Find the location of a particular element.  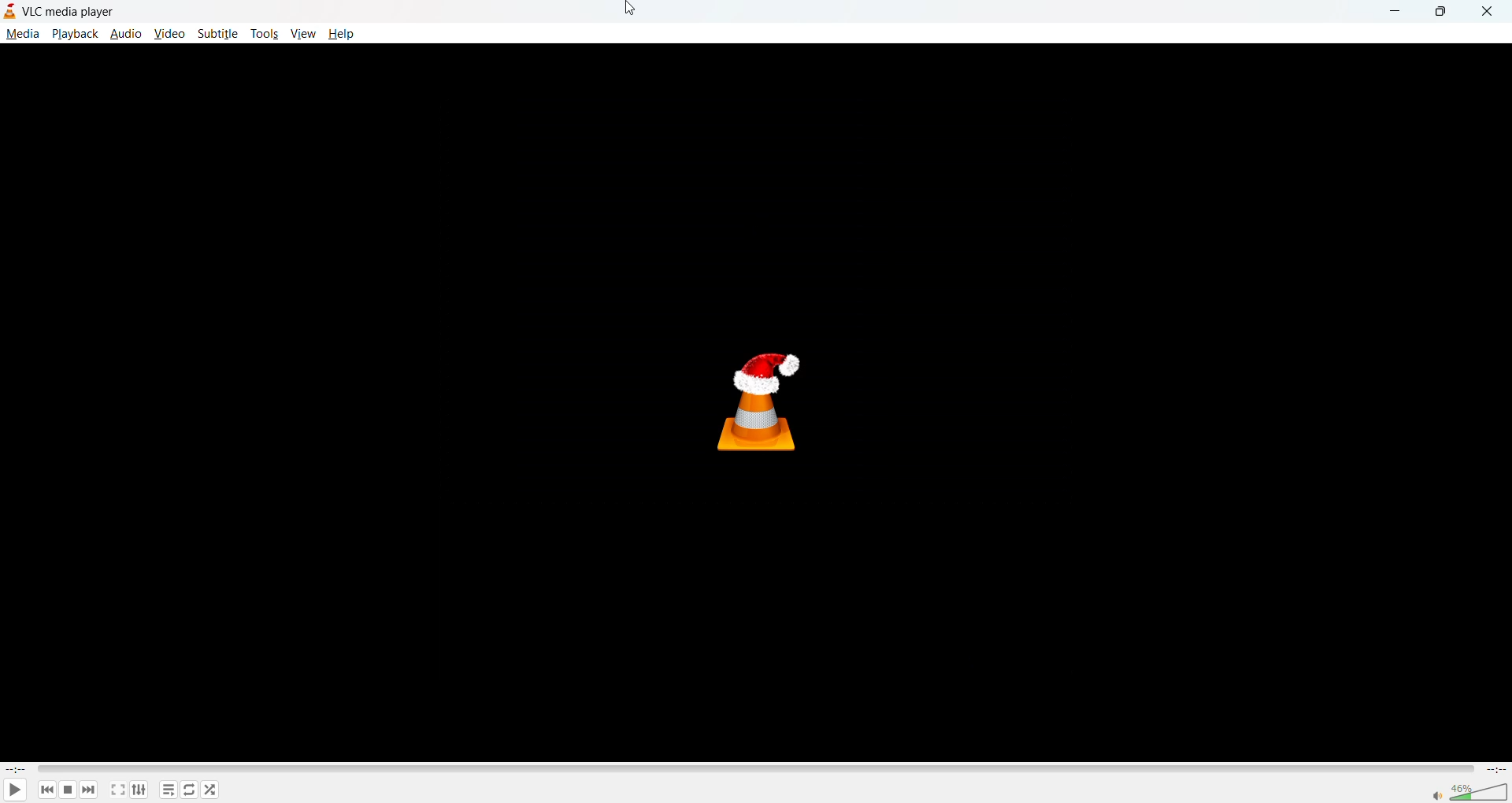

audio is located at coordinates (127, 35).